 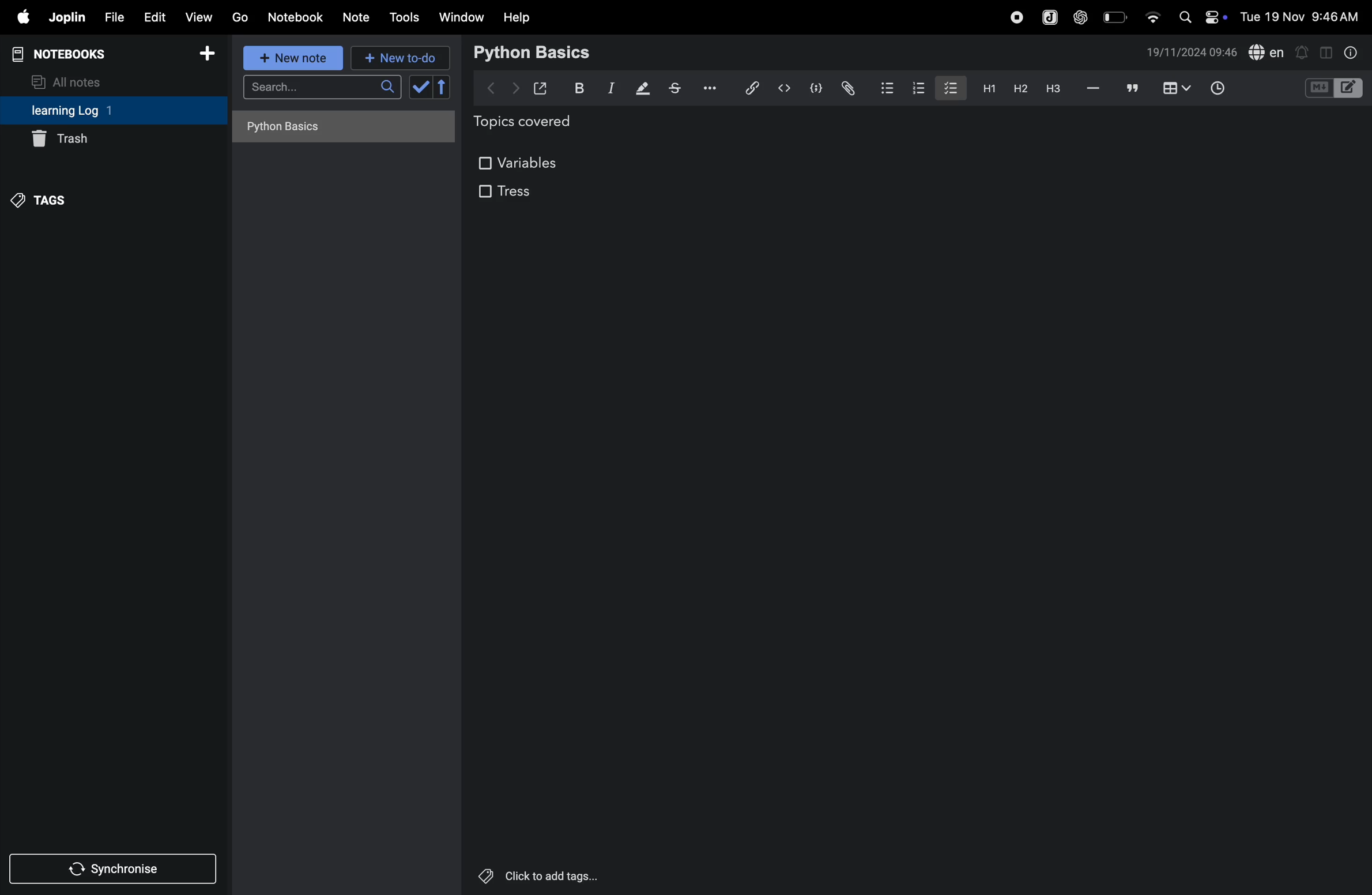 I want to click on apple widgets, so click(x=1200, y=16).